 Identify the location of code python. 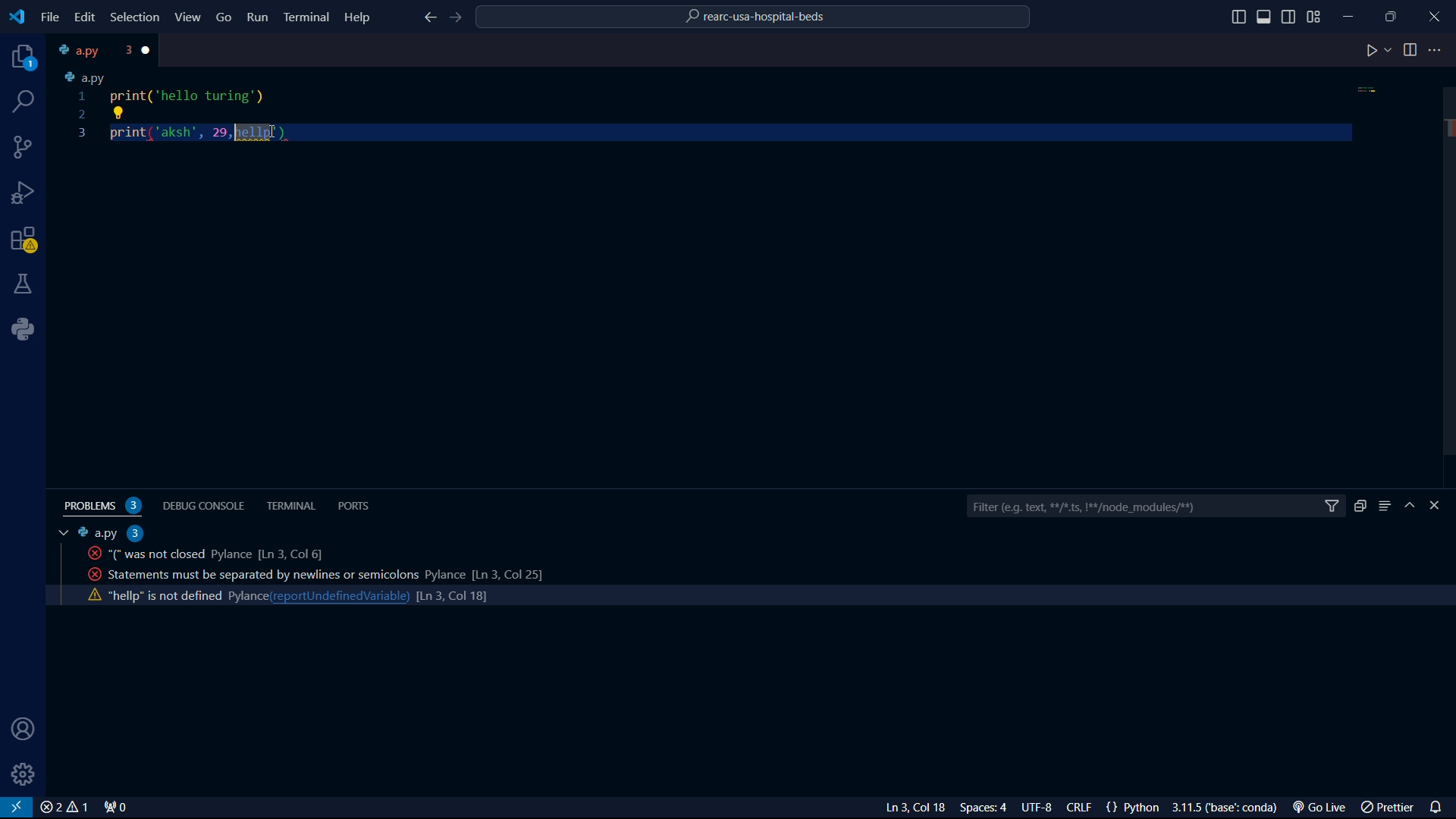
(717, 108).